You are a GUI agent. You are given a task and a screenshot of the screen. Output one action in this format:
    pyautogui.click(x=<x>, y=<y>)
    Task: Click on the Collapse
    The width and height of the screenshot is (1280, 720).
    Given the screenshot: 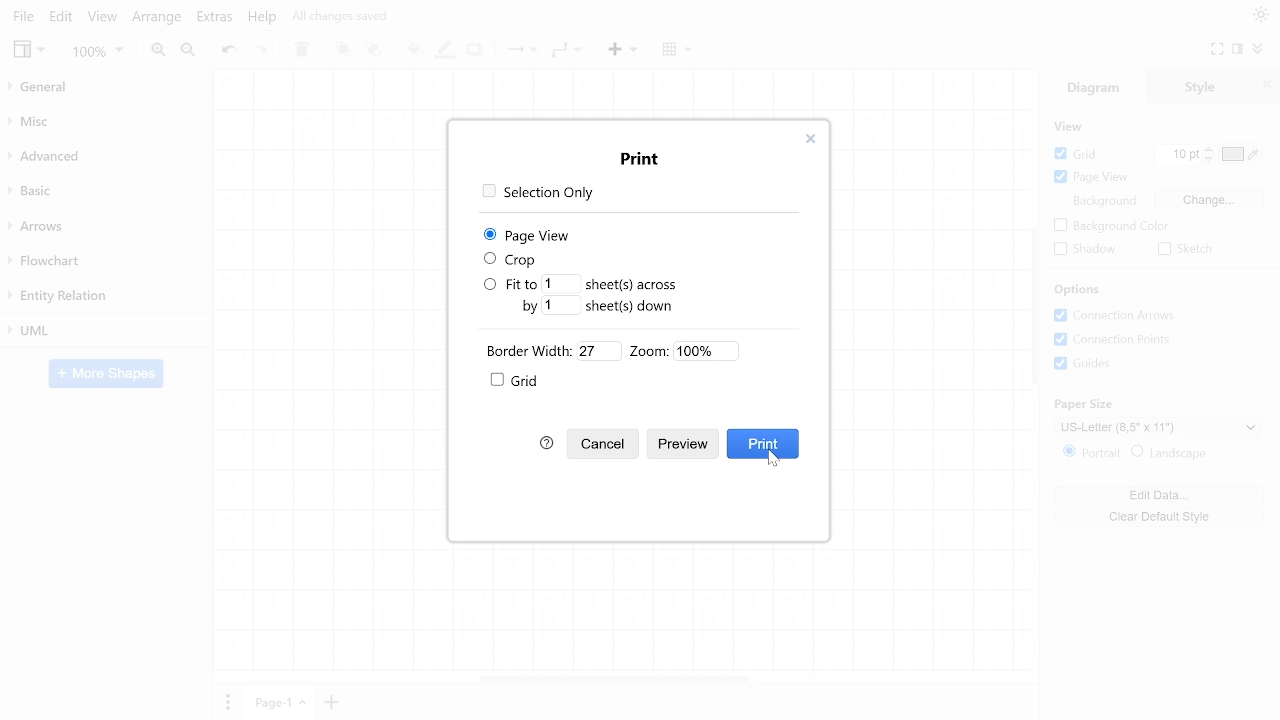 What is the action you would take?
    pyautogui.click(x=1258, y=49)
    